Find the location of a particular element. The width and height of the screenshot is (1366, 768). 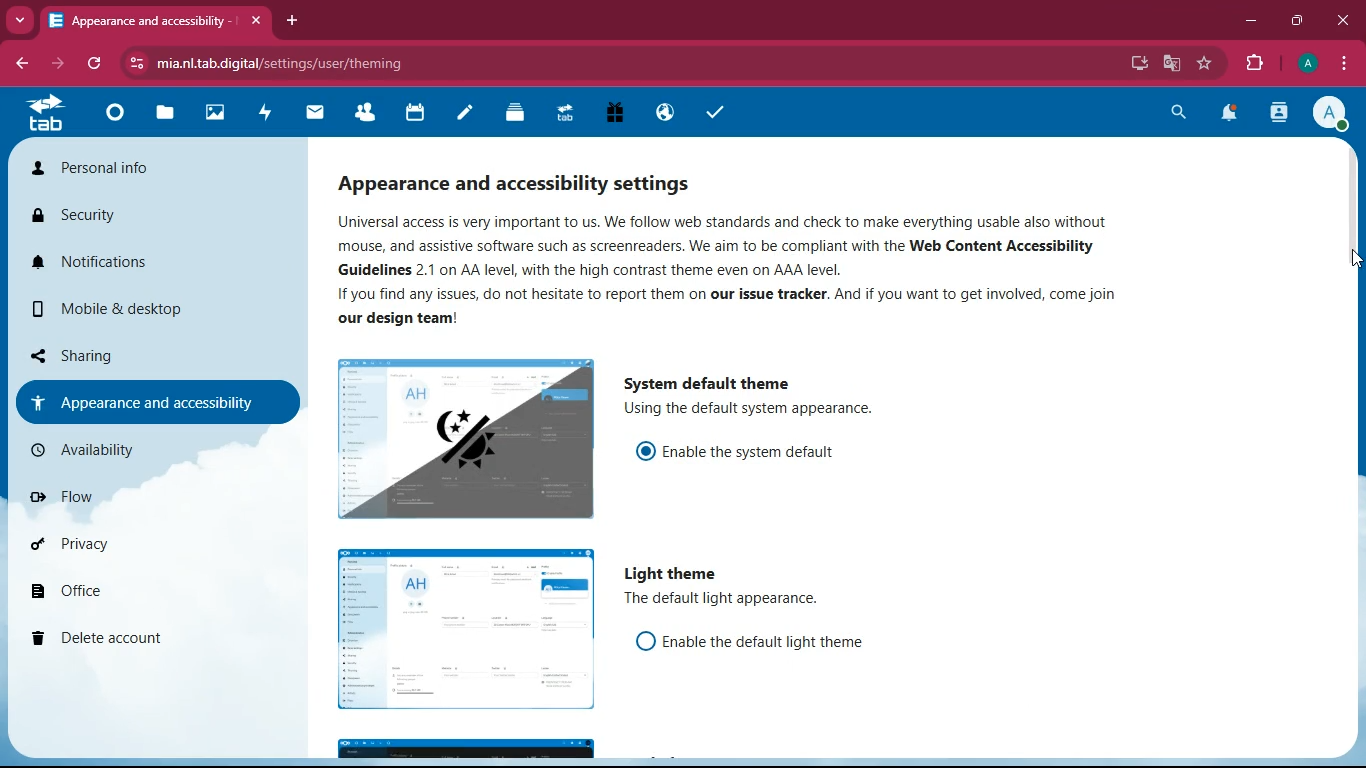

menu is located at coordinates (1344, 61).